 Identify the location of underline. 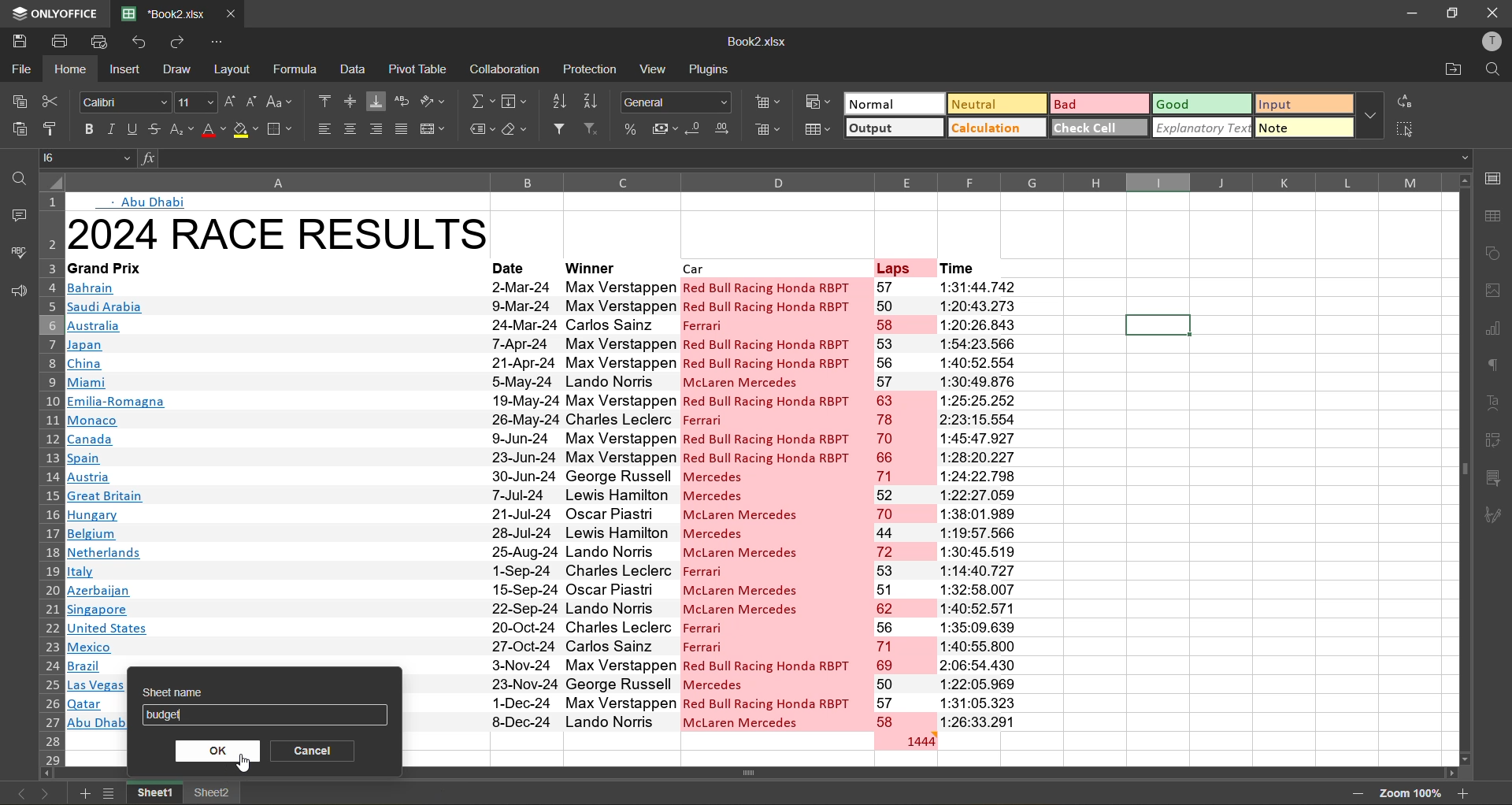
(129, 131).